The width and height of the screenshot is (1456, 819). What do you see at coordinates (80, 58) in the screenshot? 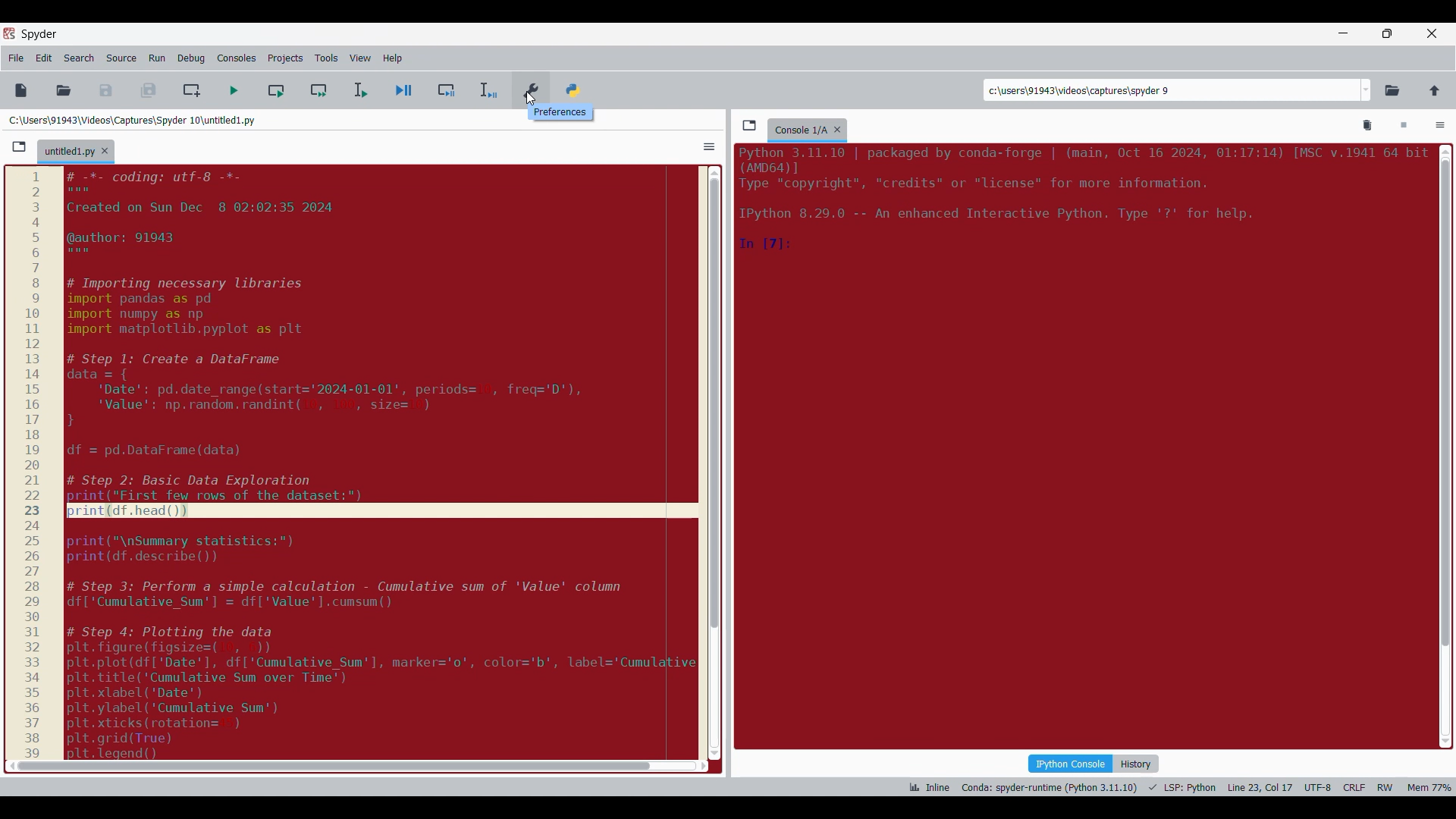
I see `Search menu` at bounding box center [80, 58].